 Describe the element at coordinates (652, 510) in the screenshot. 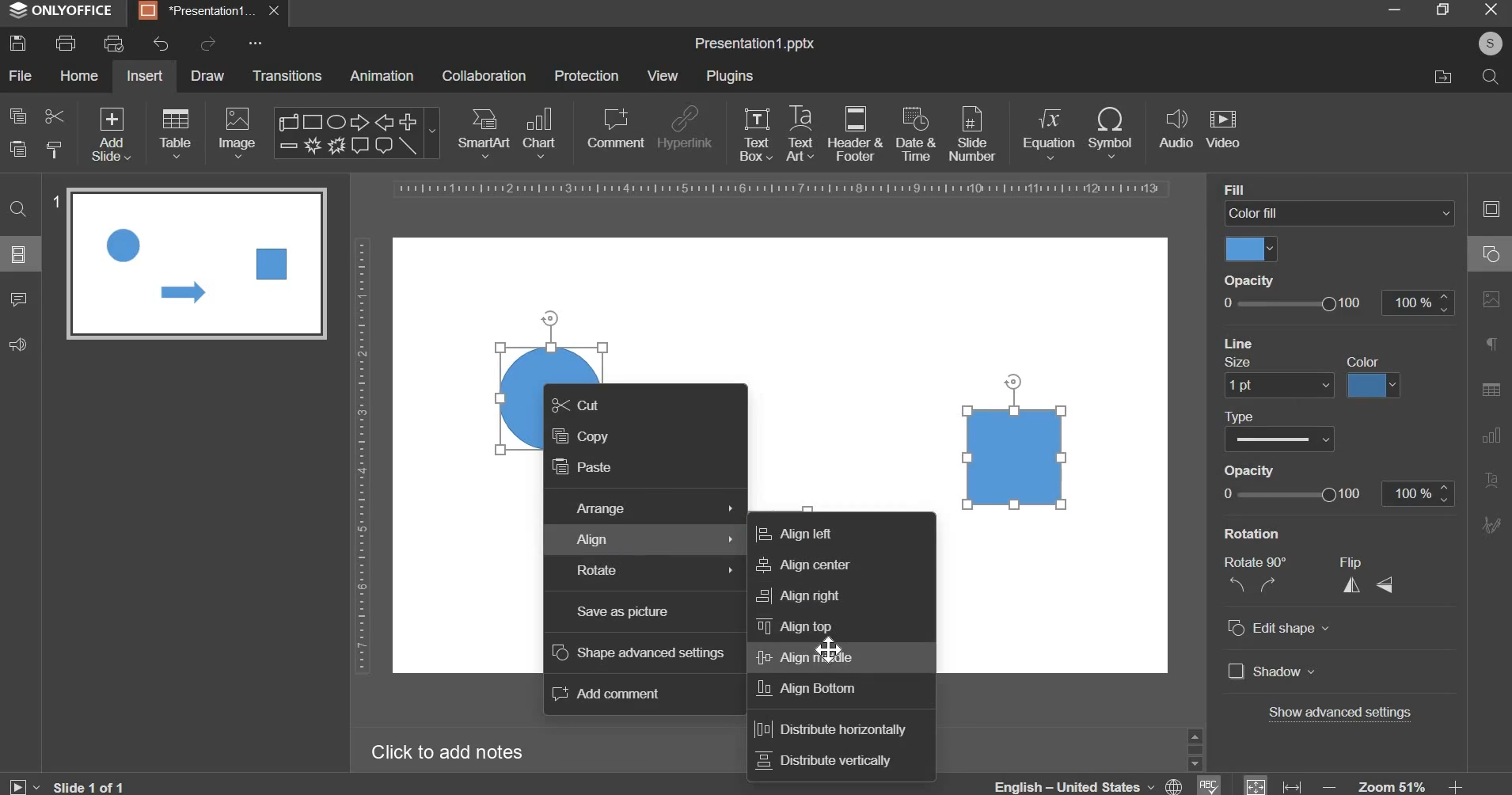

I see `arrange` at that location.